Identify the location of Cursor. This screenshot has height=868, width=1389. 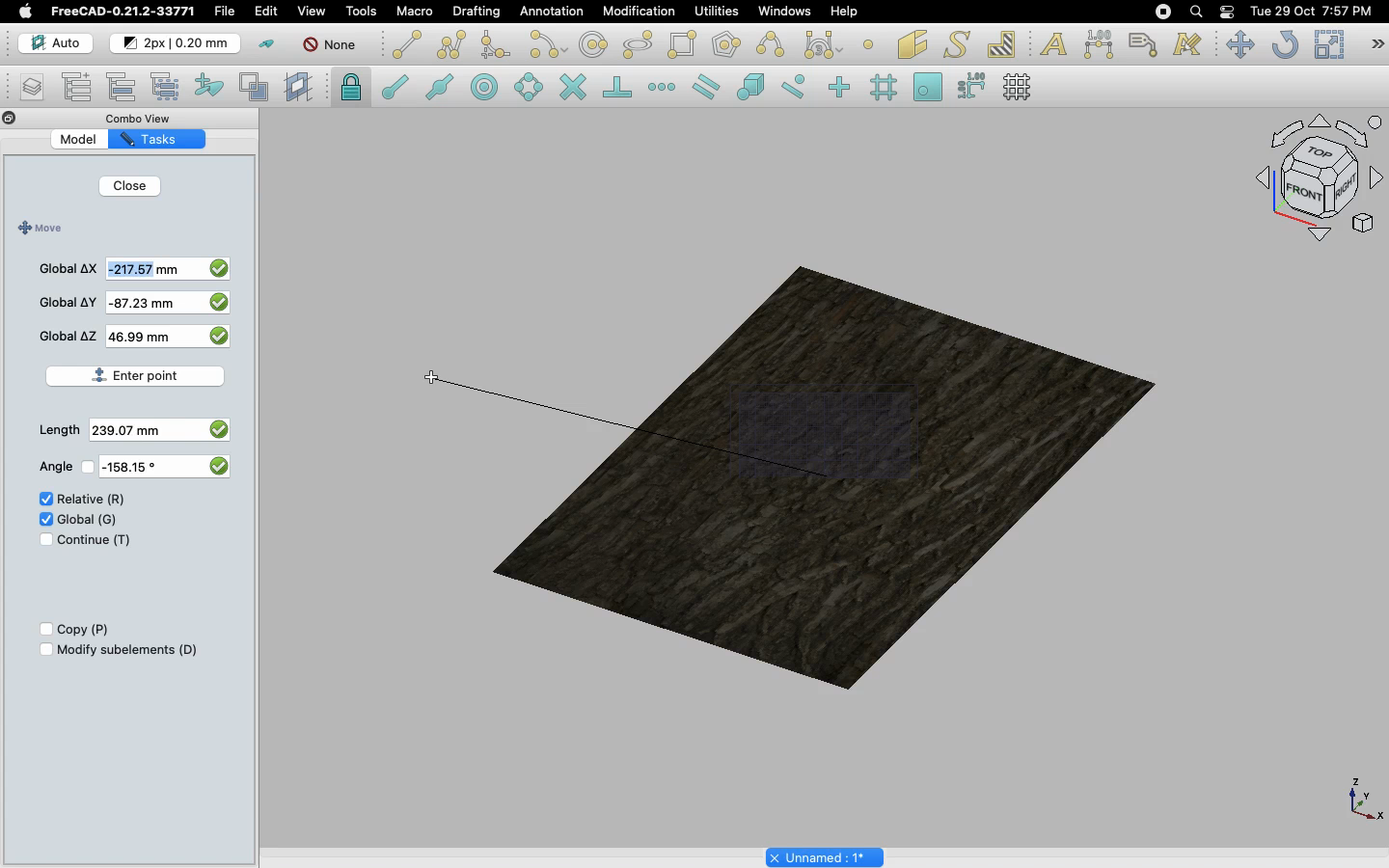
(433, 379).